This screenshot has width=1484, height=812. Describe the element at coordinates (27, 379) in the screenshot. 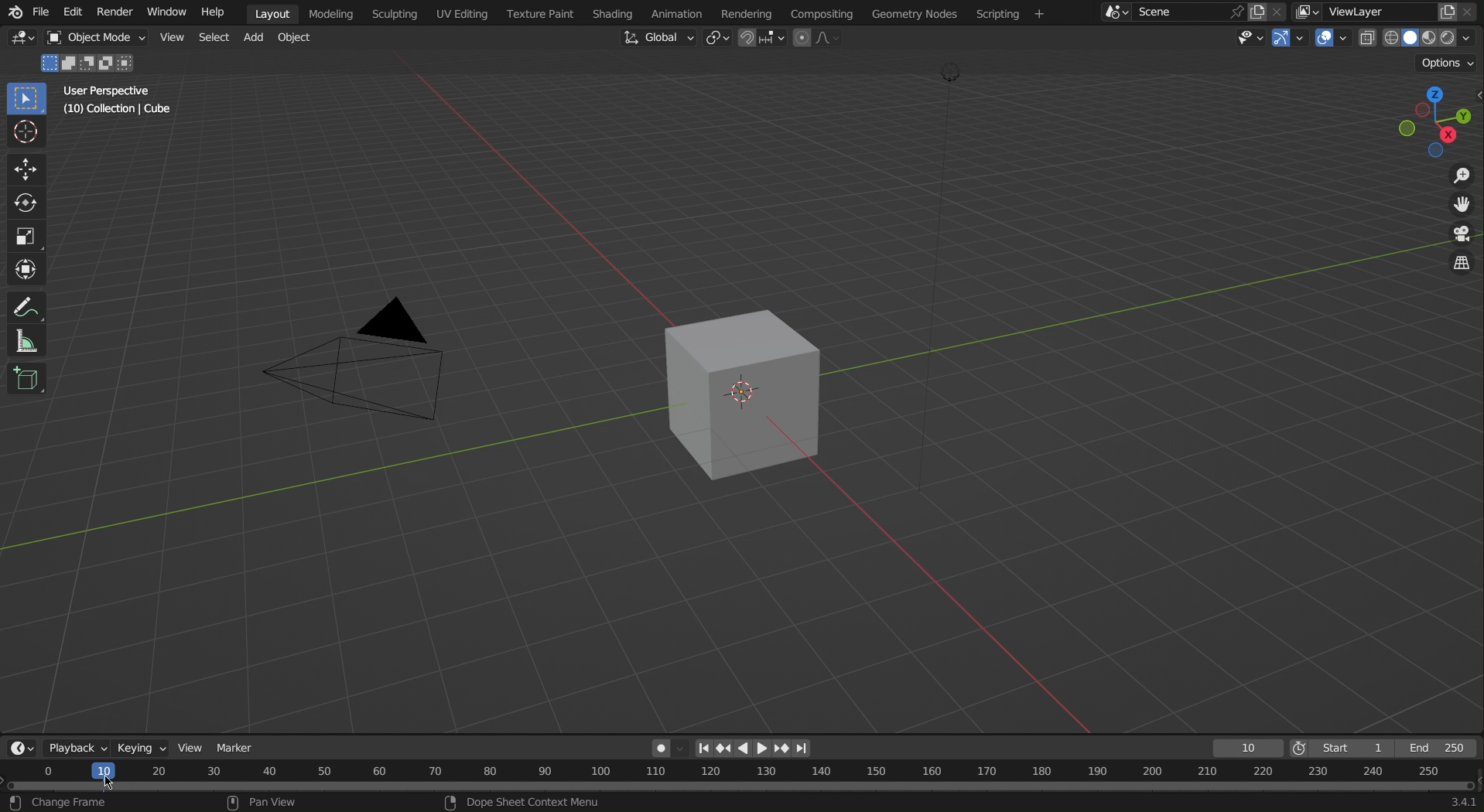

I see `Add Cube` at that location.